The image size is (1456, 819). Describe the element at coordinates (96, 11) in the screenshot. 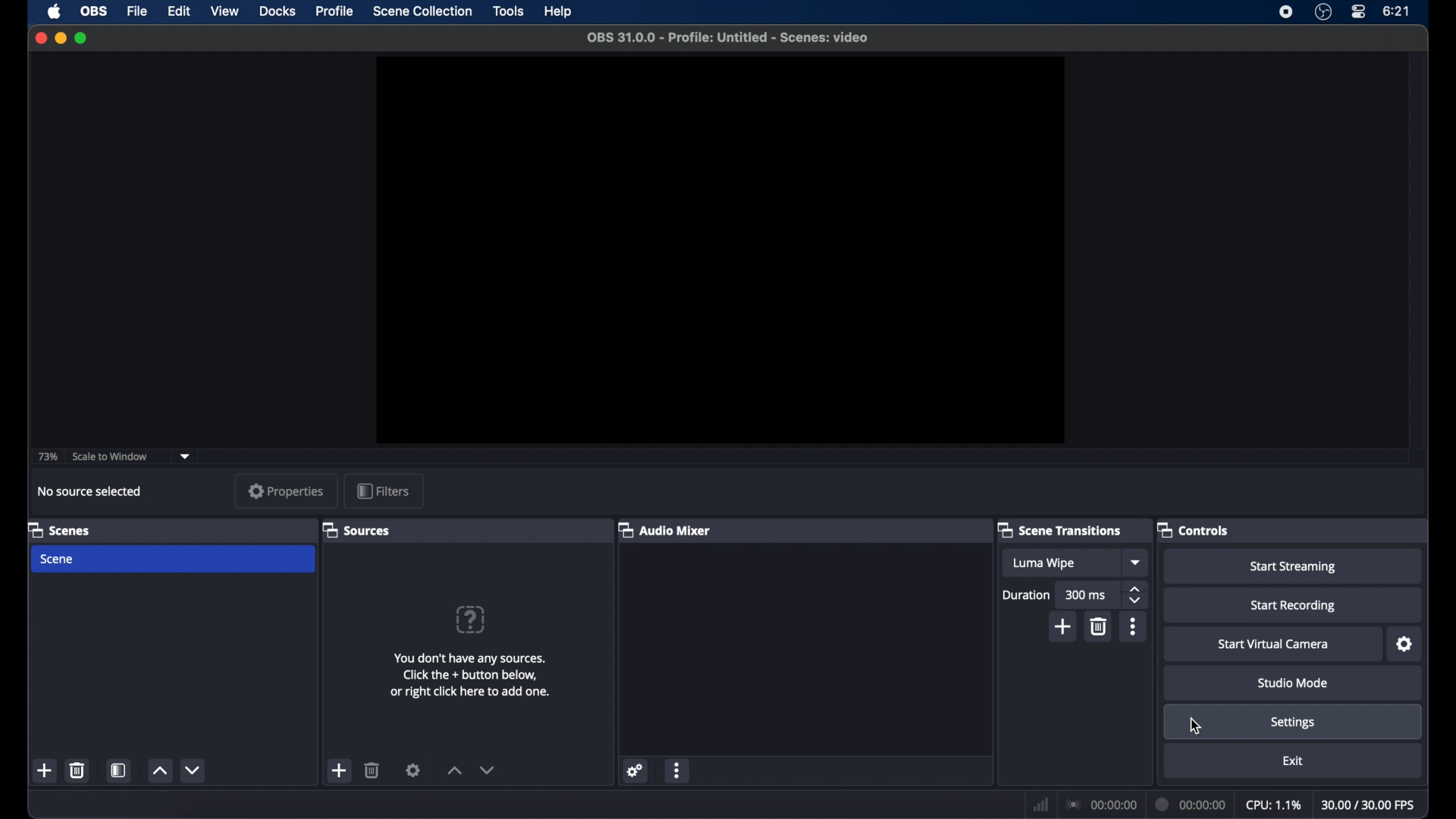

I see `obs` at that location.